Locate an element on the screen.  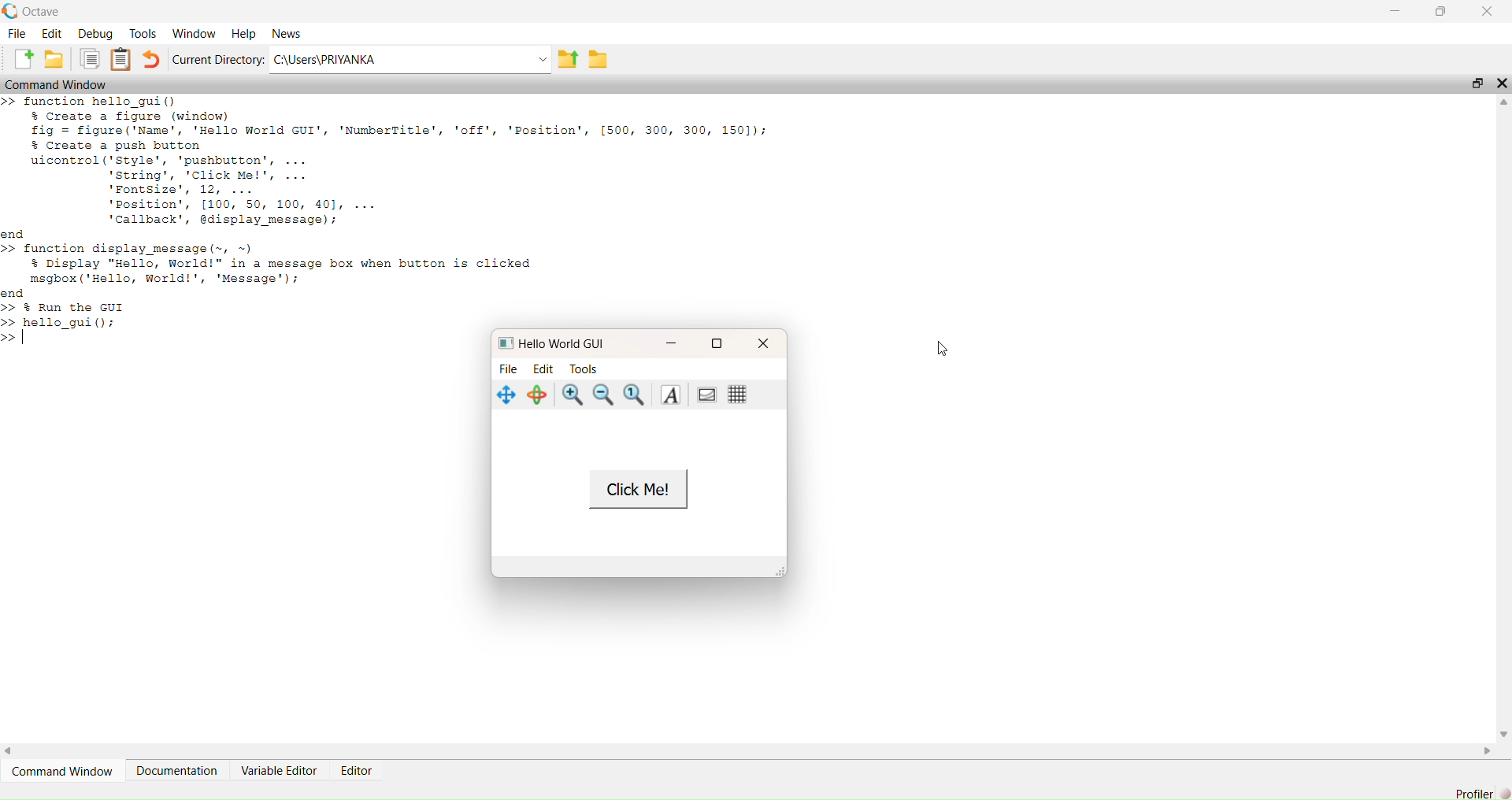
zoom out is located at coordinates (606, 394).